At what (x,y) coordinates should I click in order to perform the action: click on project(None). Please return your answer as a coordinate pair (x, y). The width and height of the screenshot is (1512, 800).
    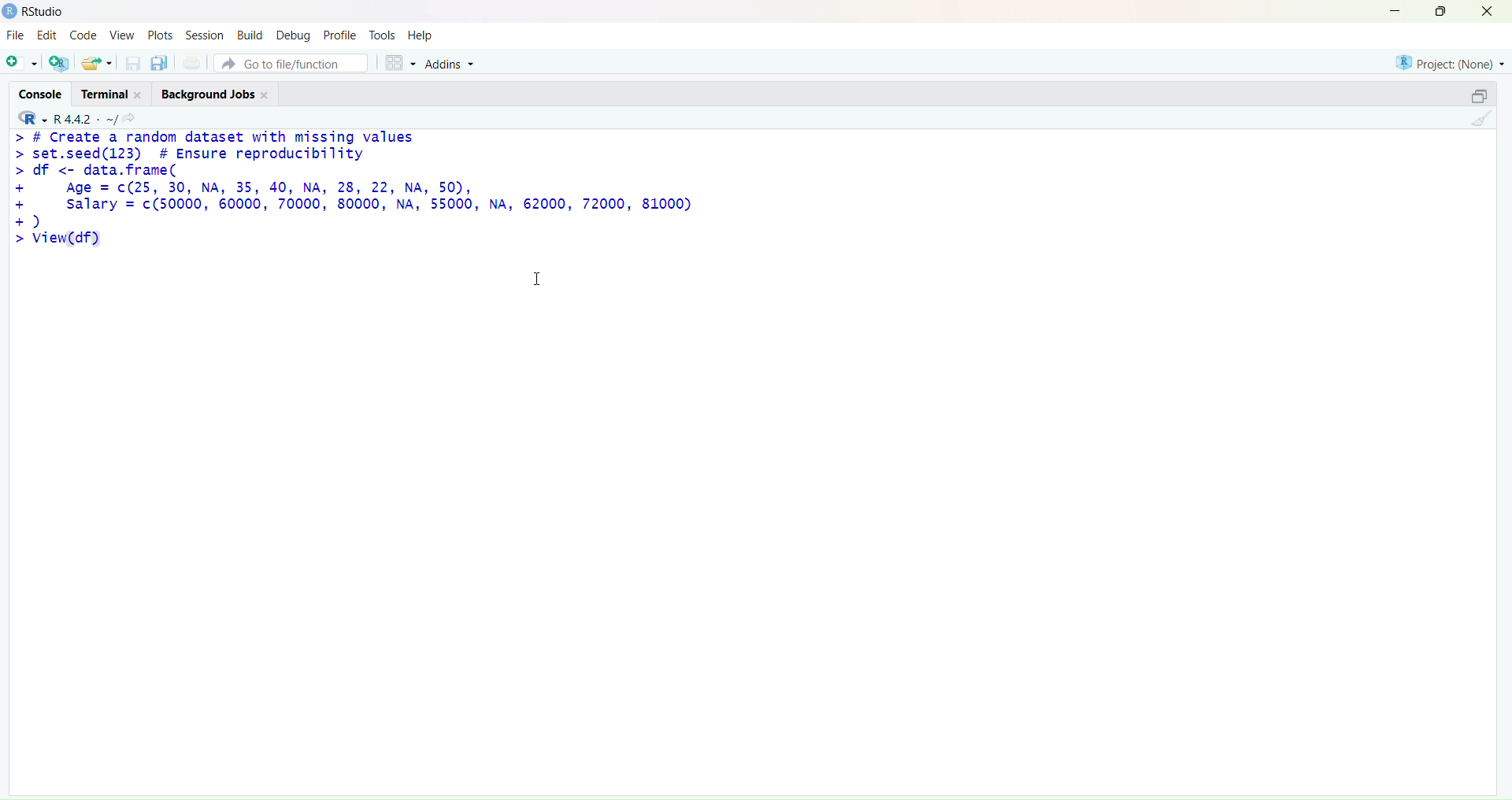
    Looking at the image, I should click on (1449, 61).